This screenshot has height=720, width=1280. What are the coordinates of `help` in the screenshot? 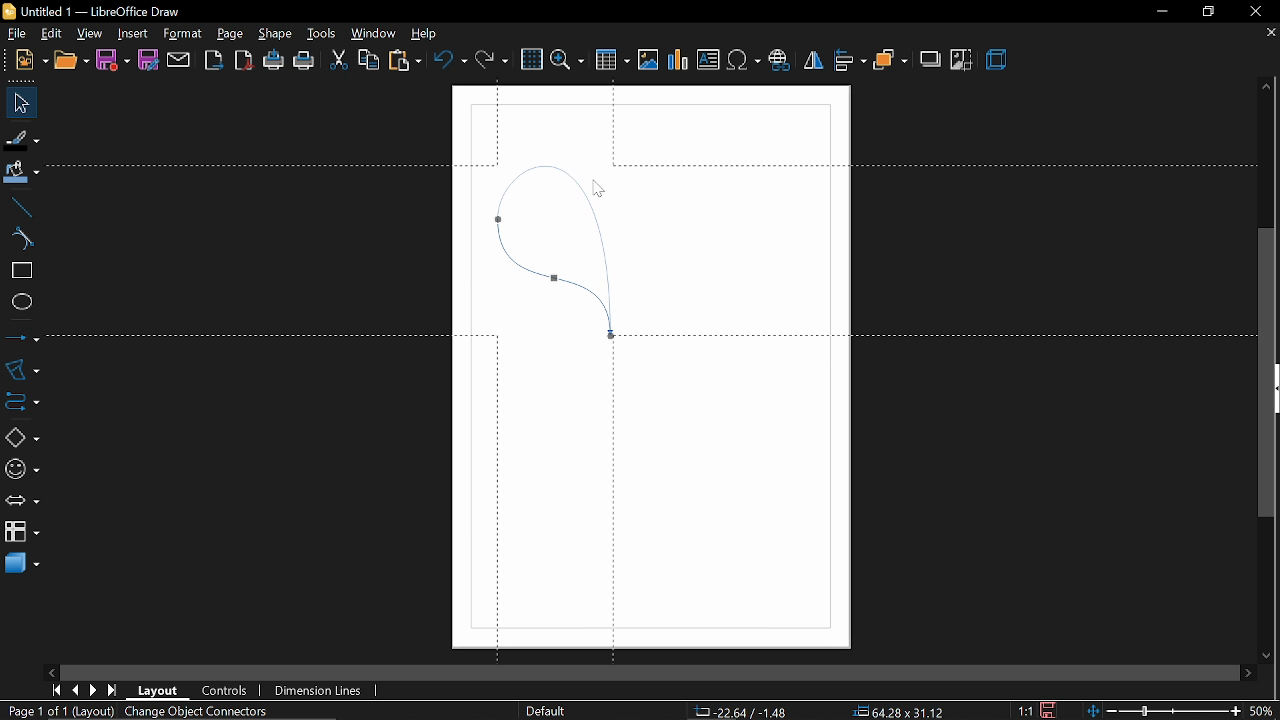 It's located at (424, 33).